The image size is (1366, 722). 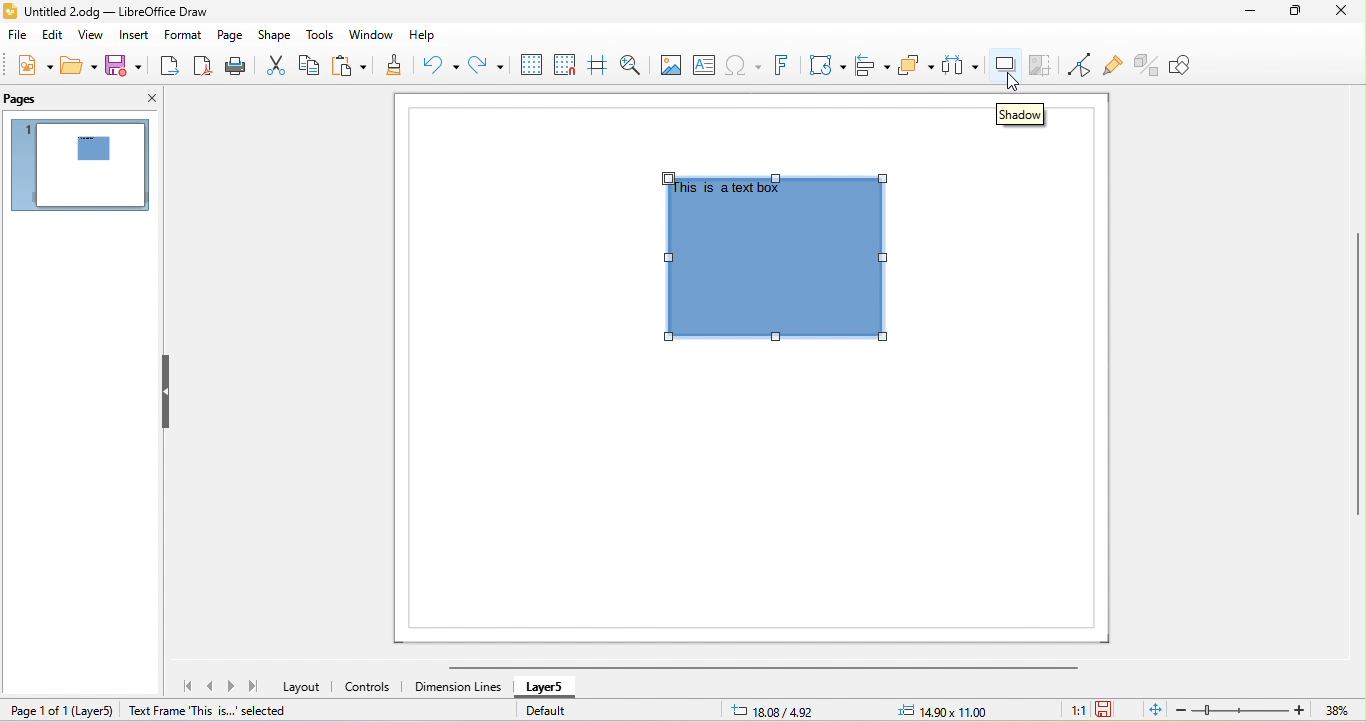 What do you see at coordinates (874, 67) in the screenshot?
I see `align object` at bounding box center [874, 67].